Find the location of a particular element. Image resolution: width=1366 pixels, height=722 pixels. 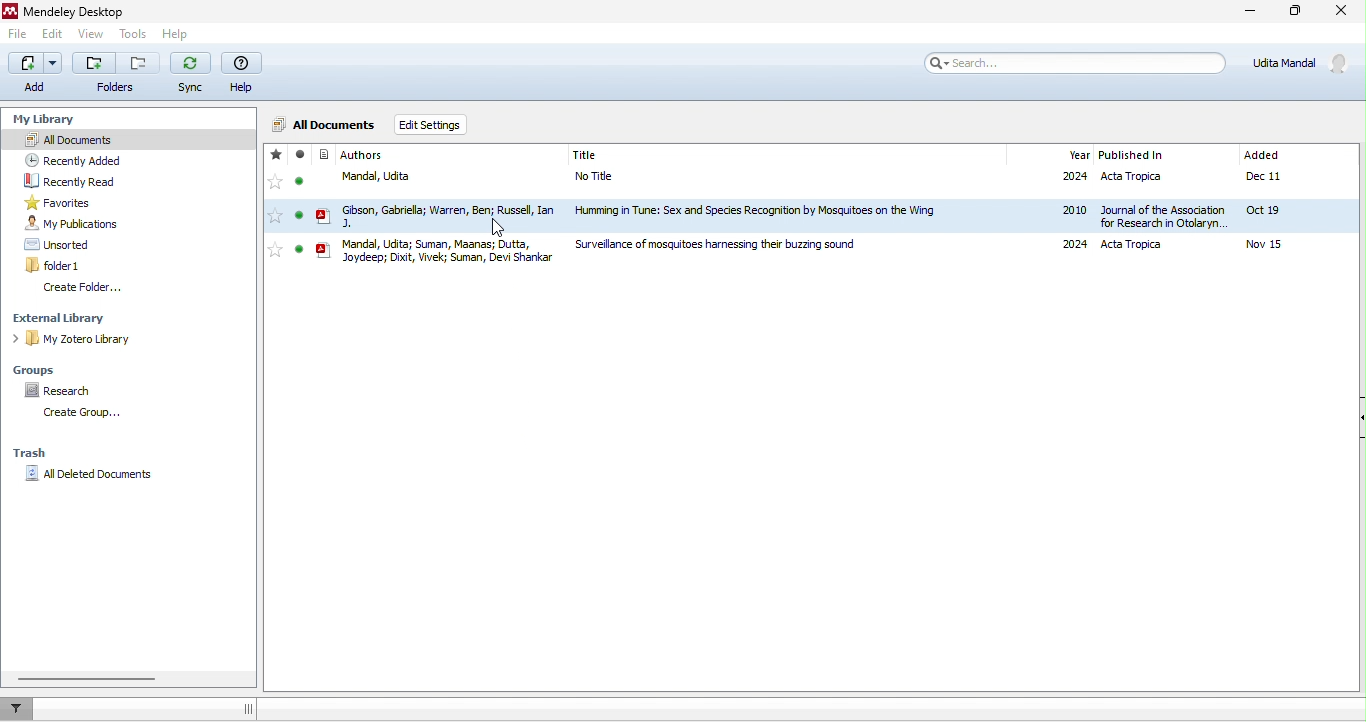

sync is located at coordinates (192, 87).